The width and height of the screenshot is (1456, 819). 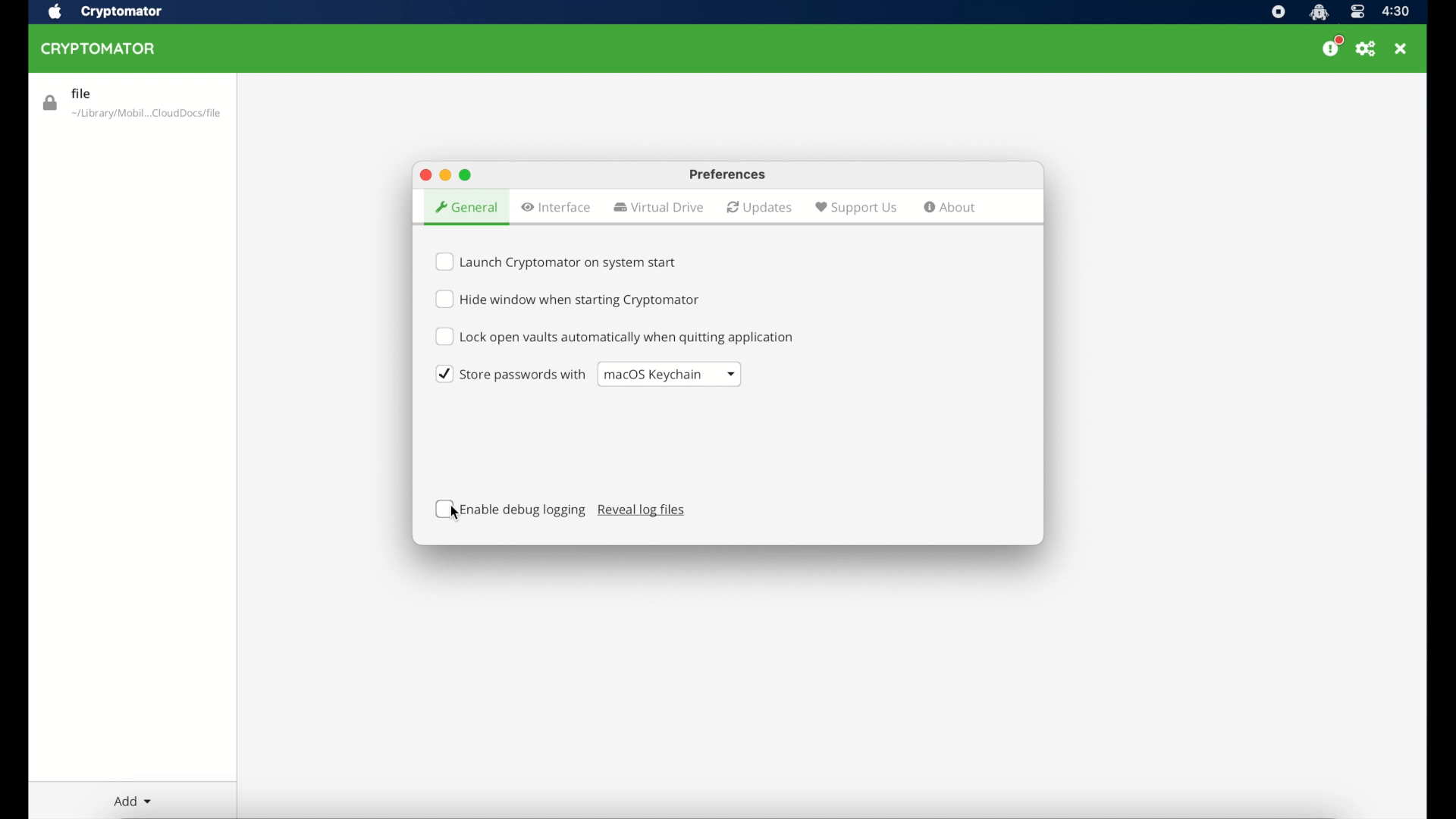 What do you see at coordinates (133, 101) in the screenshot?
I see `file` at bounding box center [133, 101].